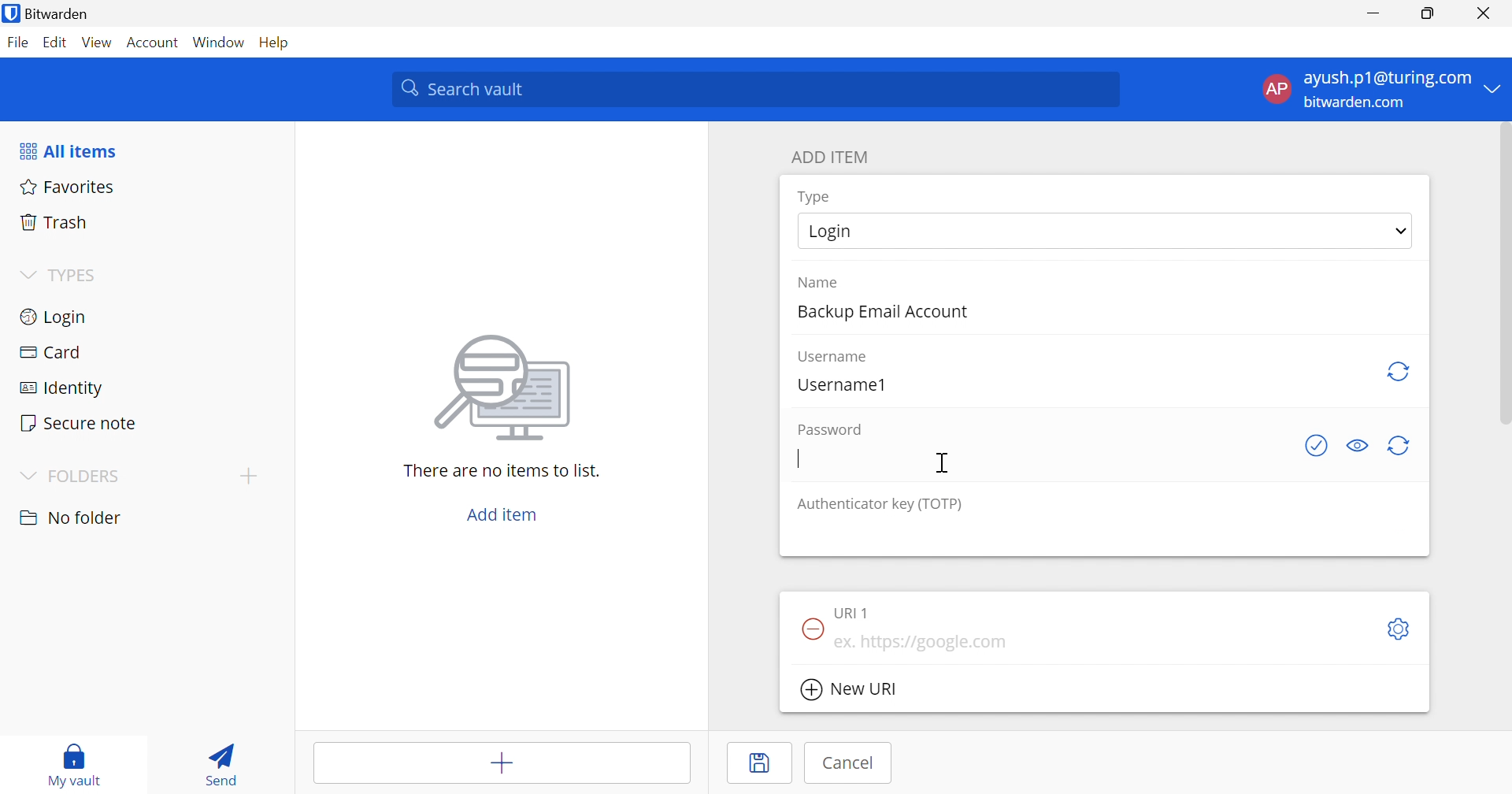 This screenshot has width=1512, height=794. What do you see at coordinates (1497, 89) in the screenshot?
I see `Drop Down` at bounding box center [1497, 89].